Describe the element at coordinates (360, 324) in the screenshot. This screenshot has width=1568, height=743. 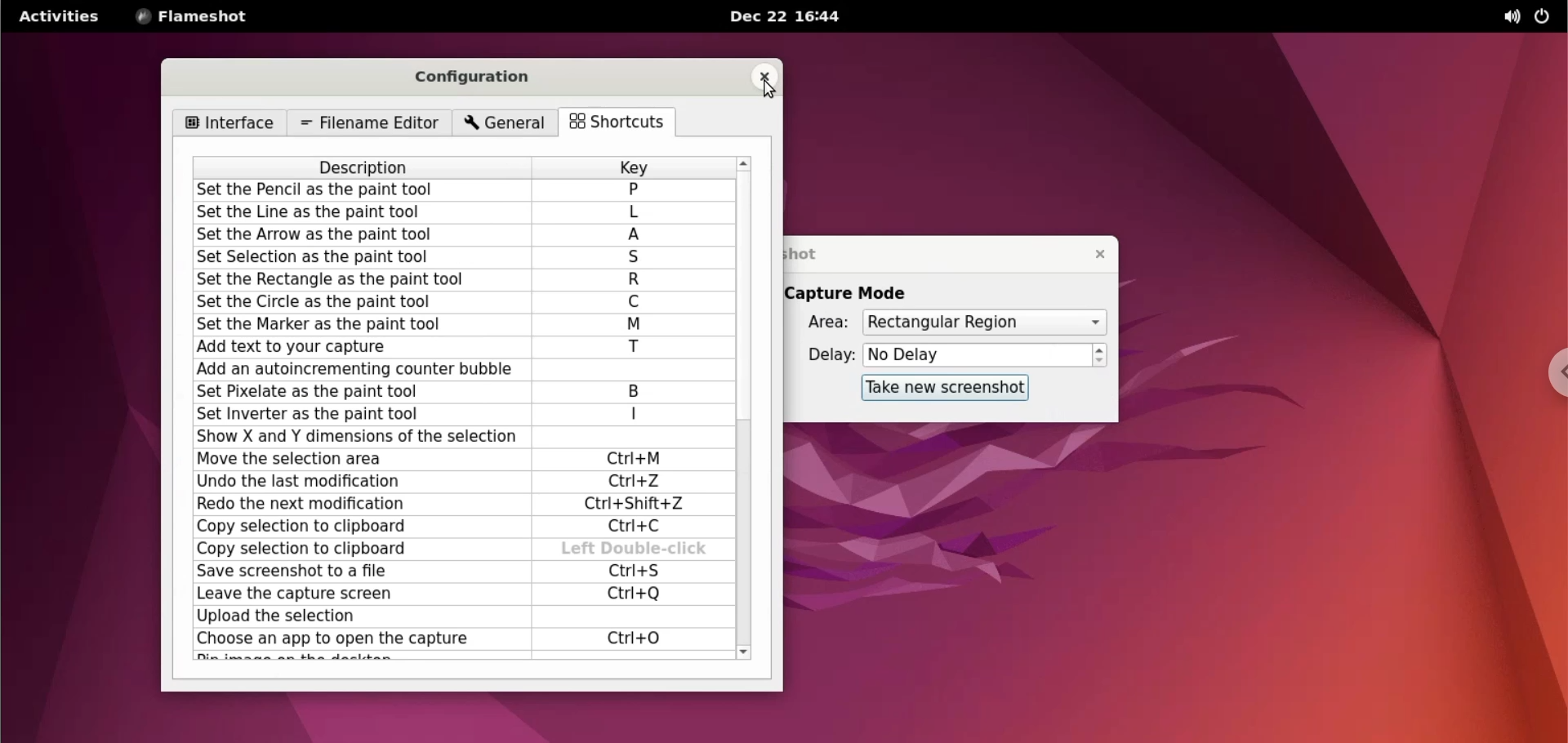
I see `set the marker as the paint tool` at that location.